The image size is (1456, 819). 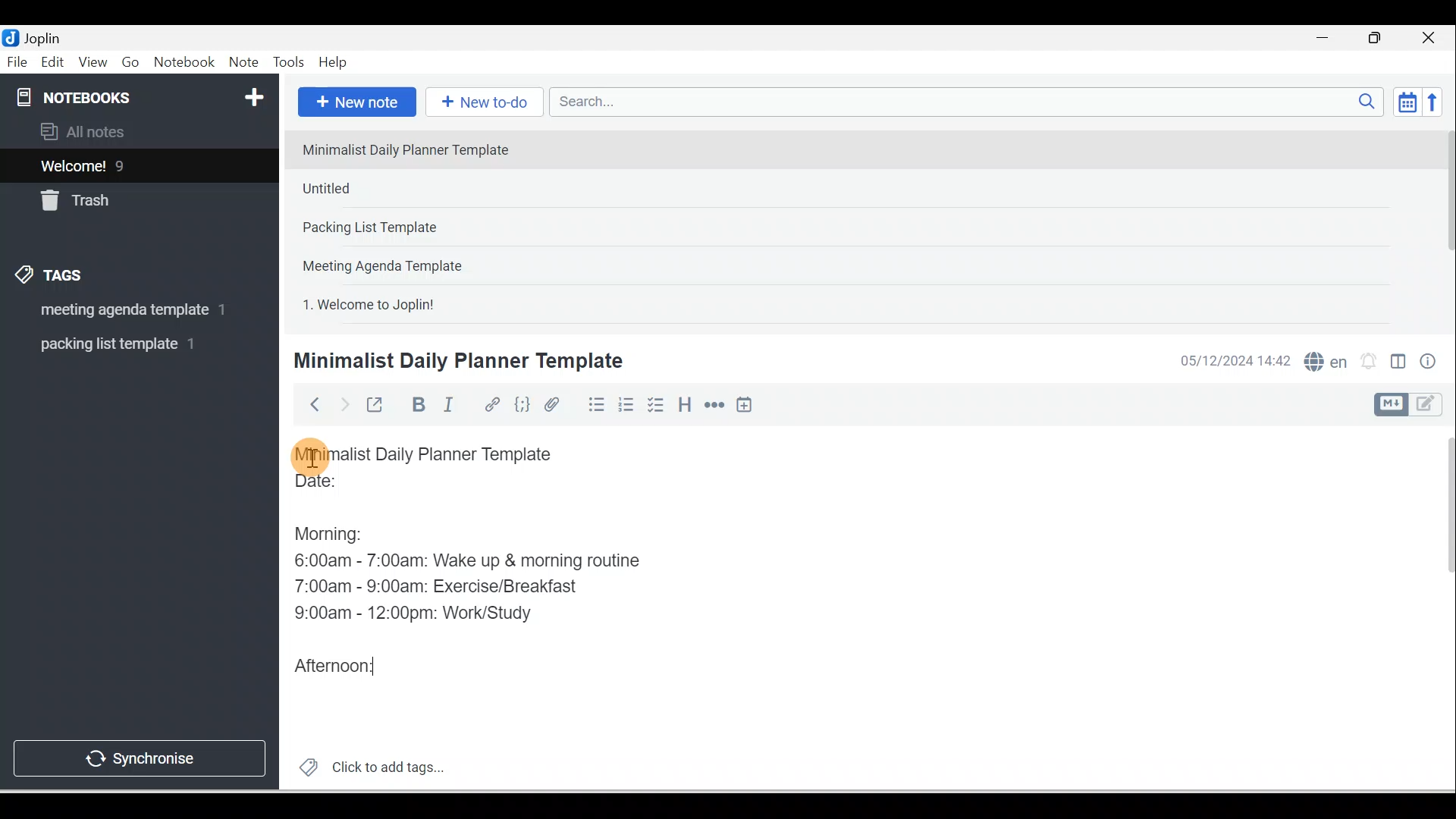 What do you see at coordinates (184, 63) in the screenshot?
I see `Notebook` at bounding box center [184, 63].